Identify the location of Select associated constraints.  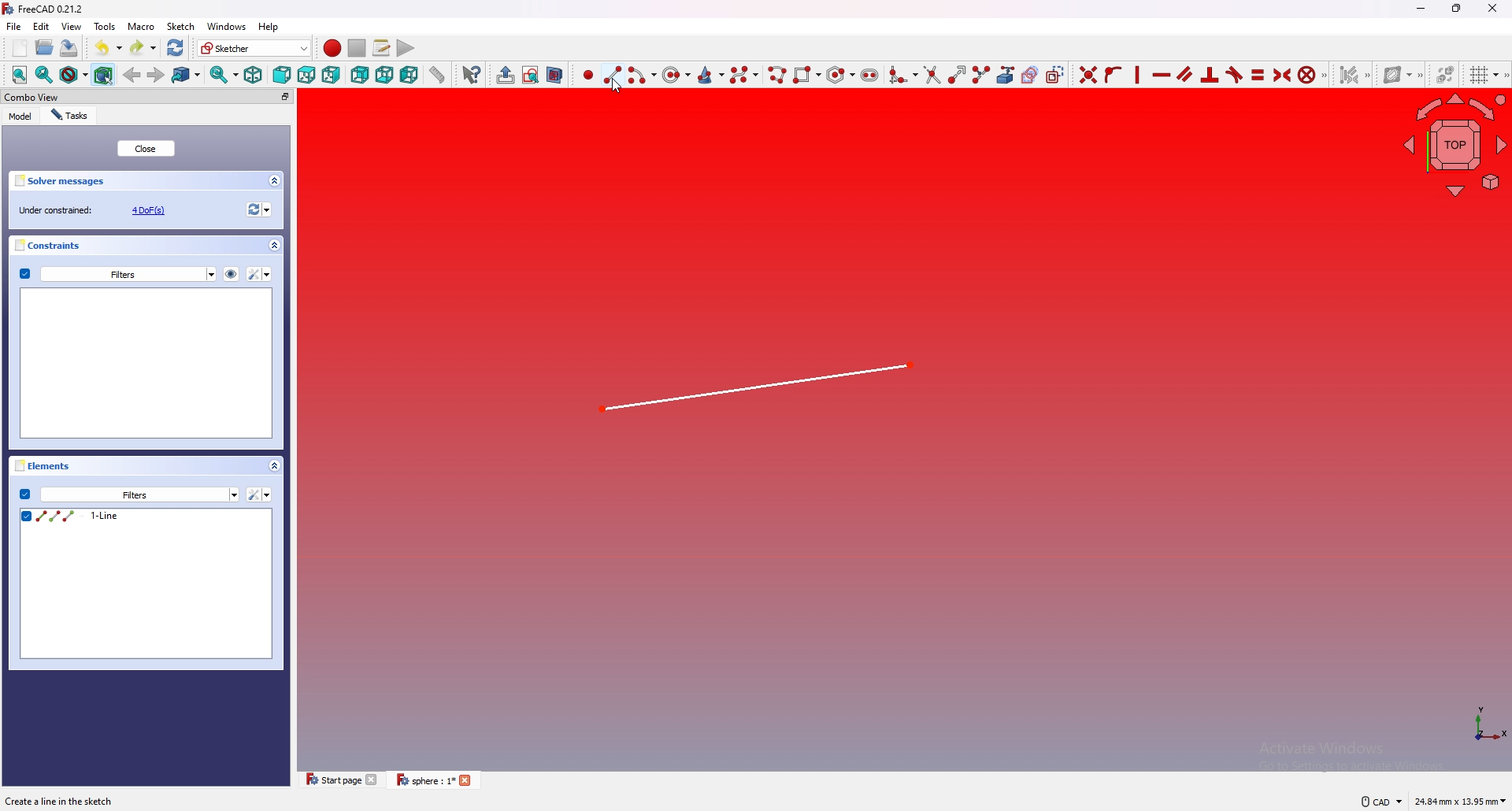
(1352, 75).